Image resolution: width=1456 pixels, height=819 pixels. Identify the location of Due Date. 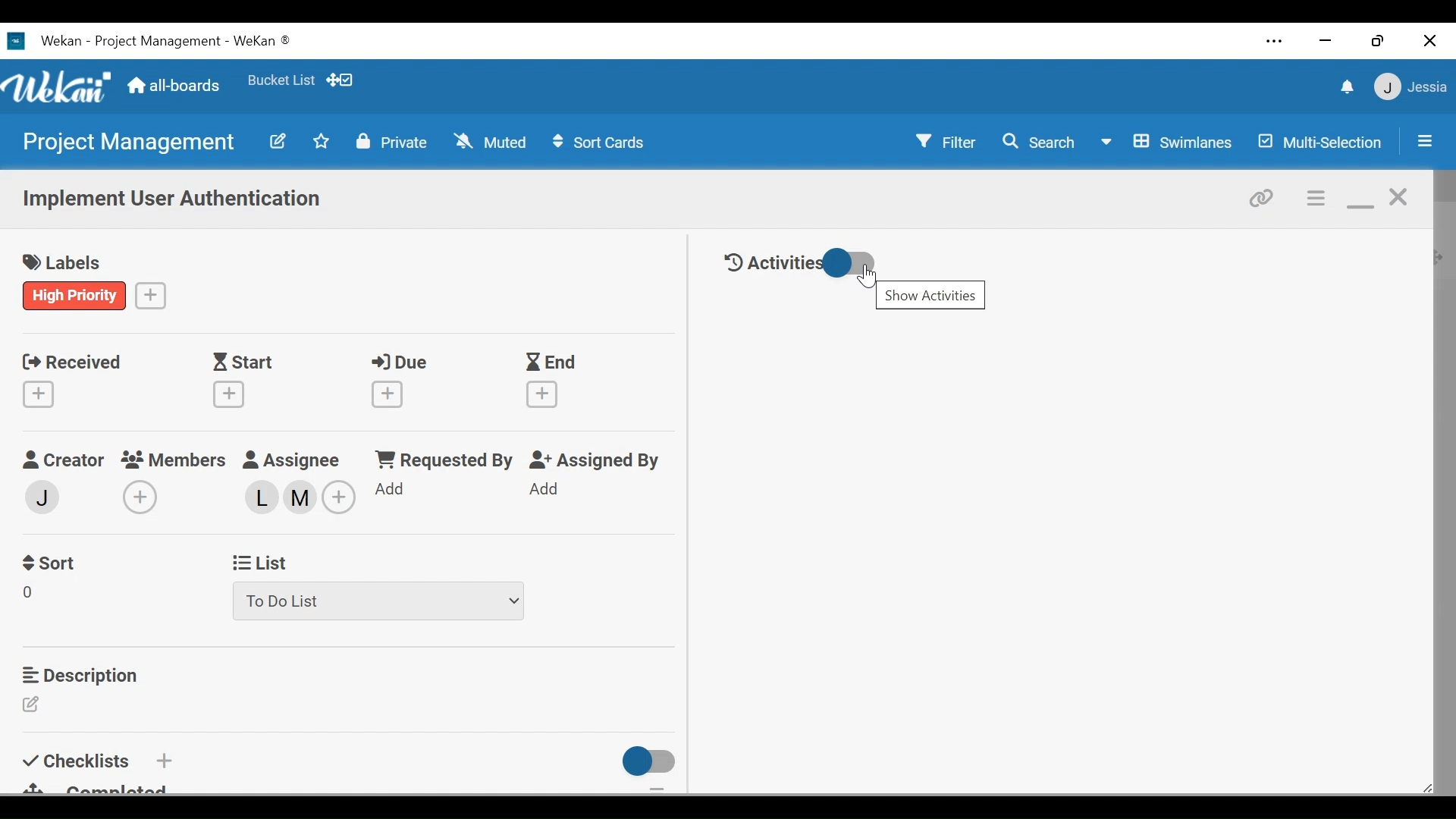
(406, 363).